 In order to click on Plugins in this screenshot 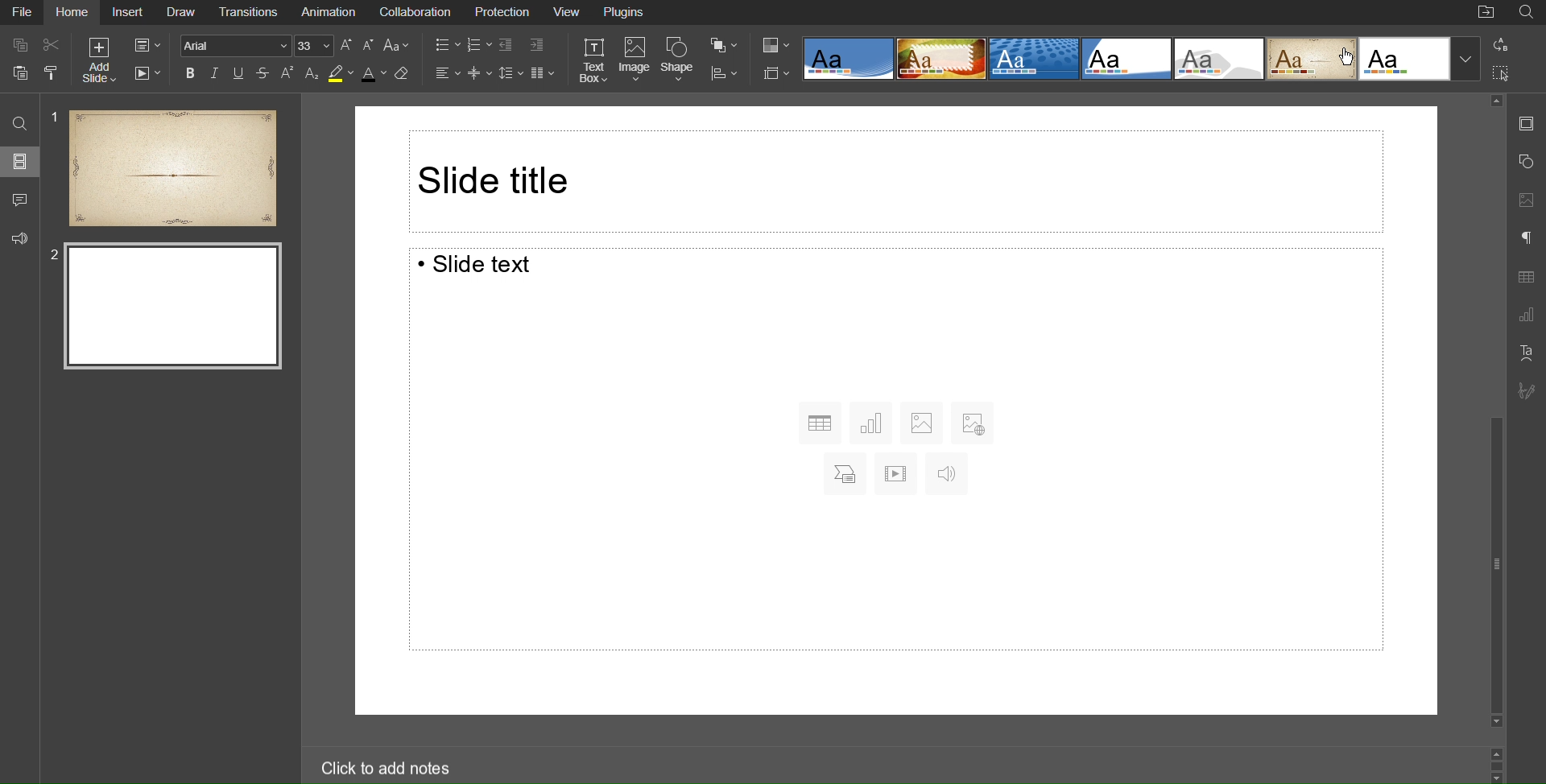, I will do `click(626, 14)`.